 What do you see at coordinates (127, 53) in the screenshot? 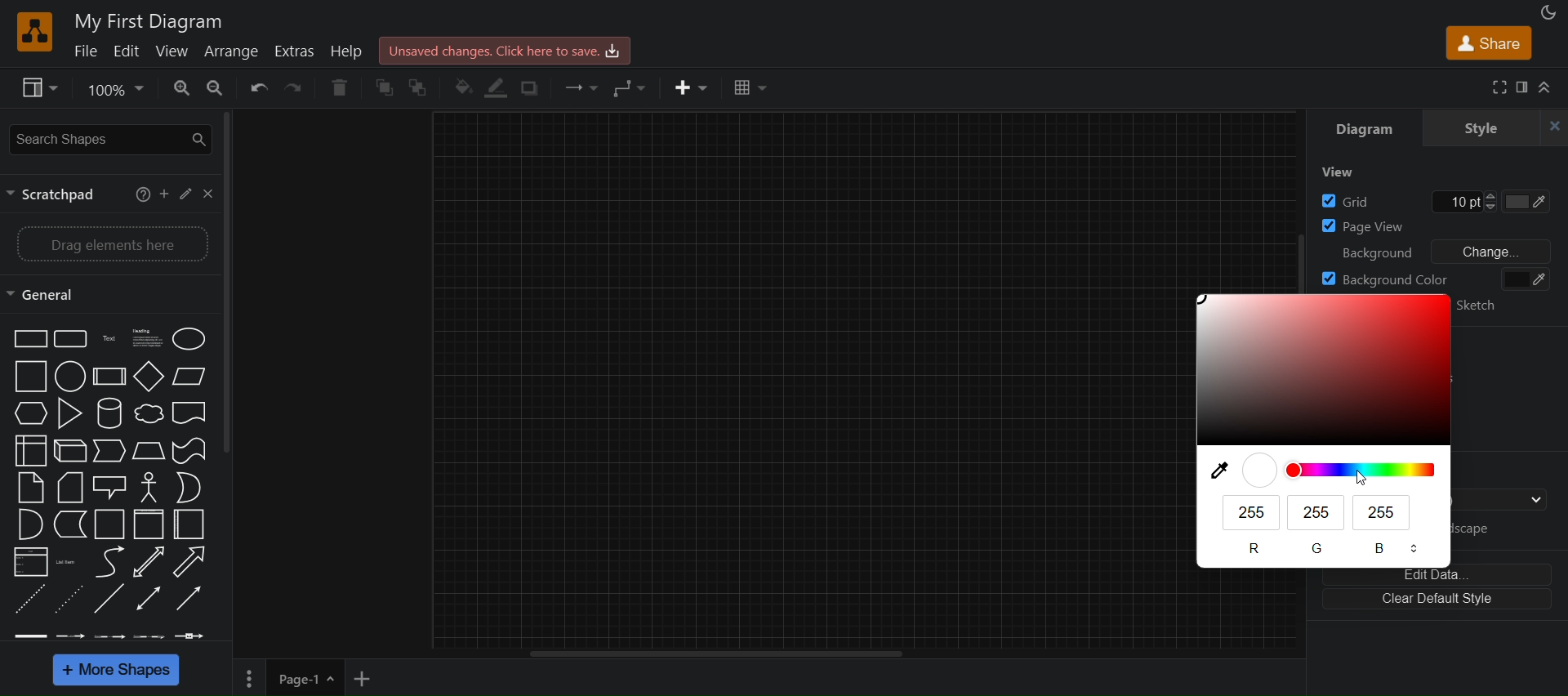
I see `edit` at bounding box center [127, 53].